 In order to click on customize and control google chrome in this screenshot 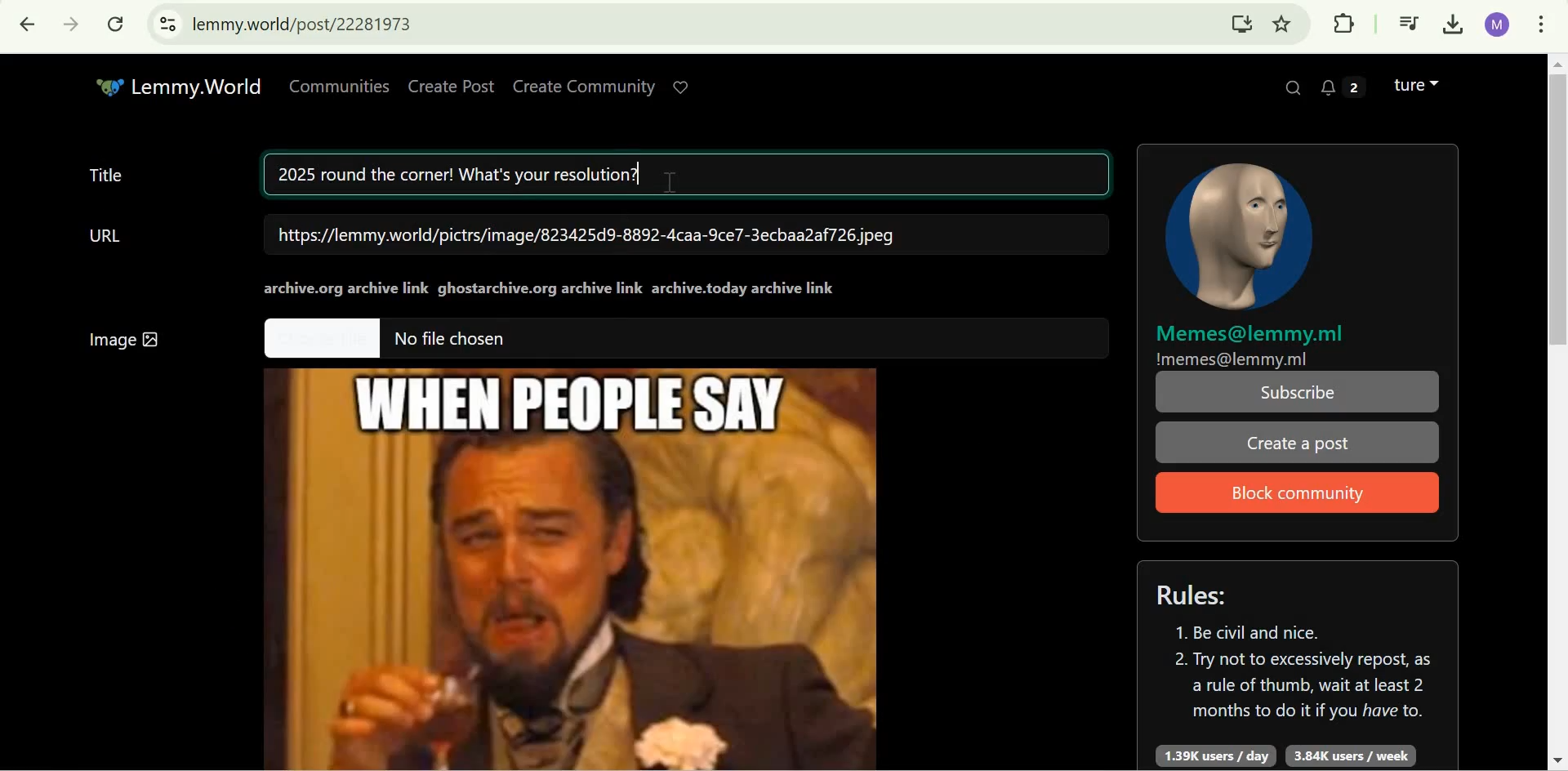, I will do `click(1541, 27)`.